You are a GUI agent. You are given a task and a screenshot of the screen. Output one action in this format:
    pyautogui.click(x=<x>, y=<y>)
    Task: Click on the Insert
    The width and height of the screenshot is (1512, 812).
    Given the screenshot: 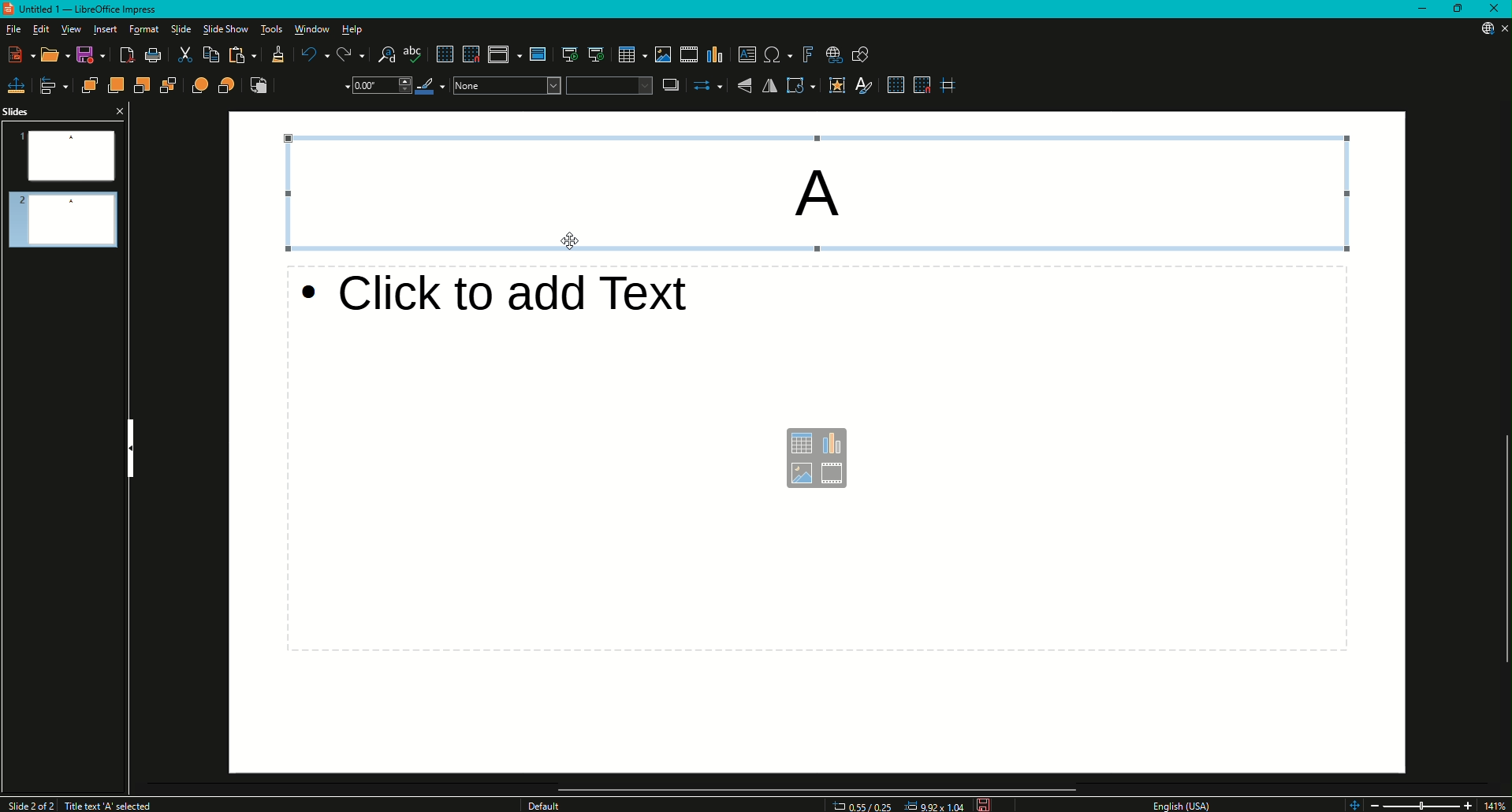 What is the action you would take?
    pyautogui.click(x=107, y=30)
    